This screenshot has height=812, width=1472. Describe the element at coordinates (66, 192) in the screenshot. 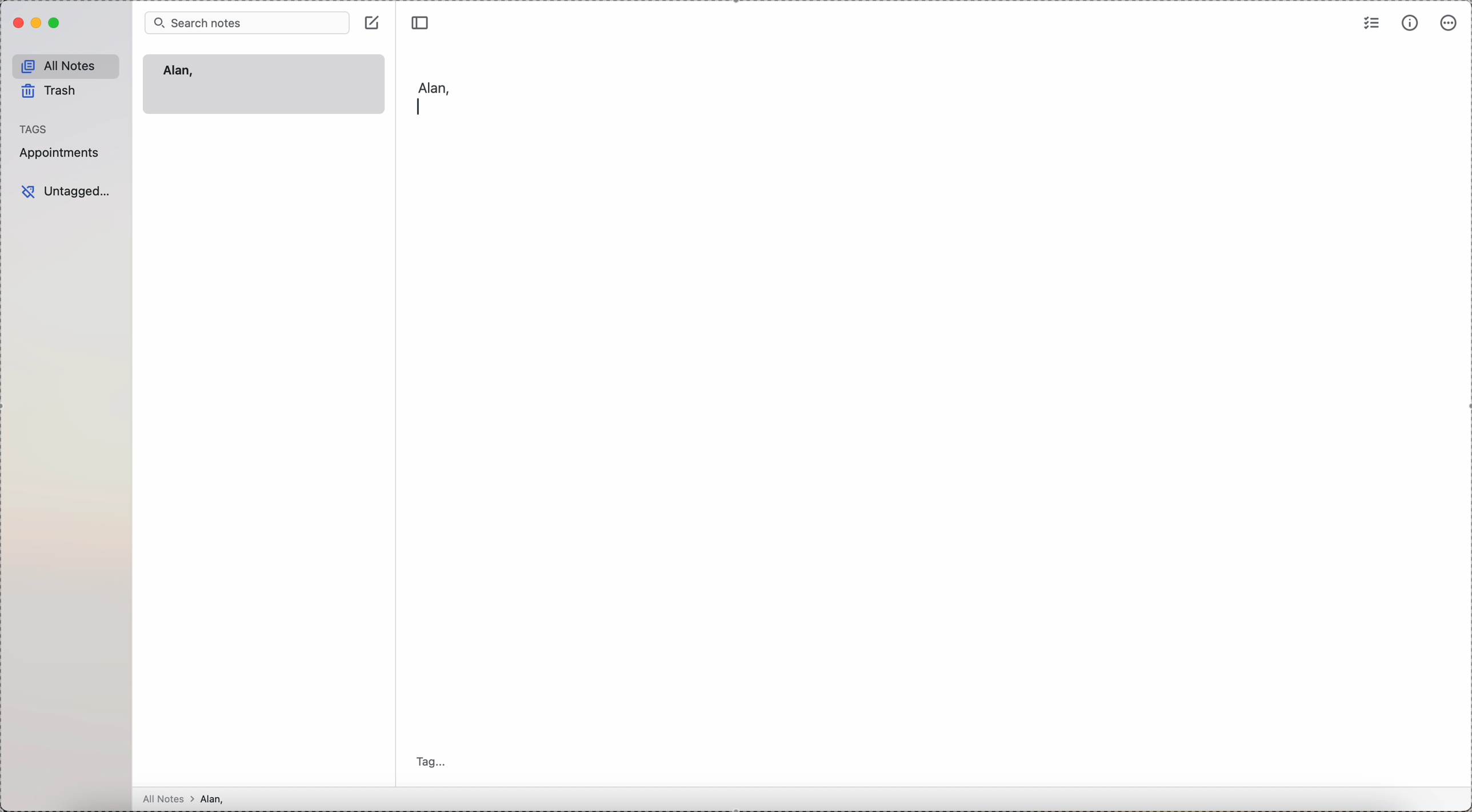

I see `untagged` at that location.